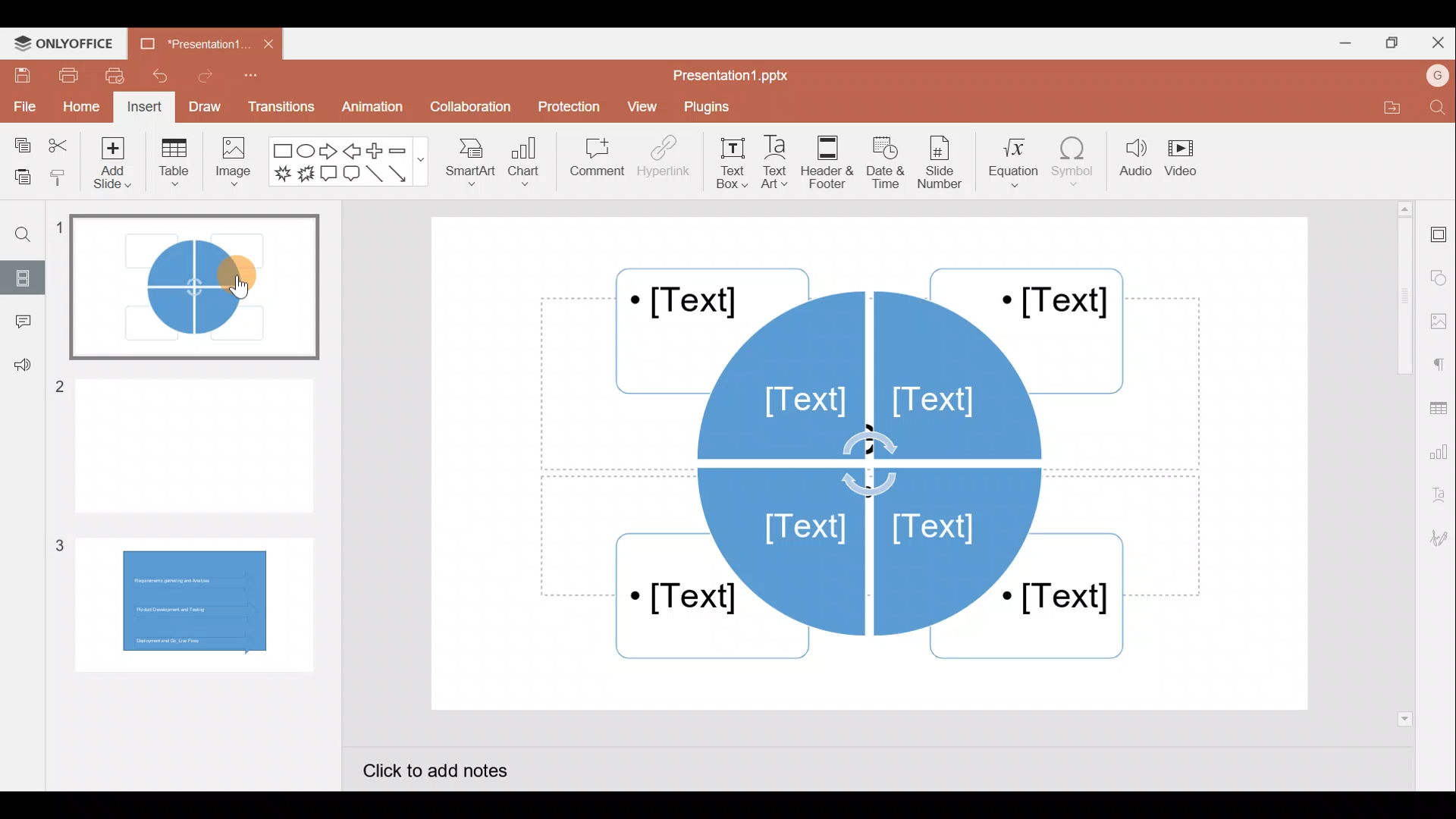  I want to click on Minus, so click(406, 151).